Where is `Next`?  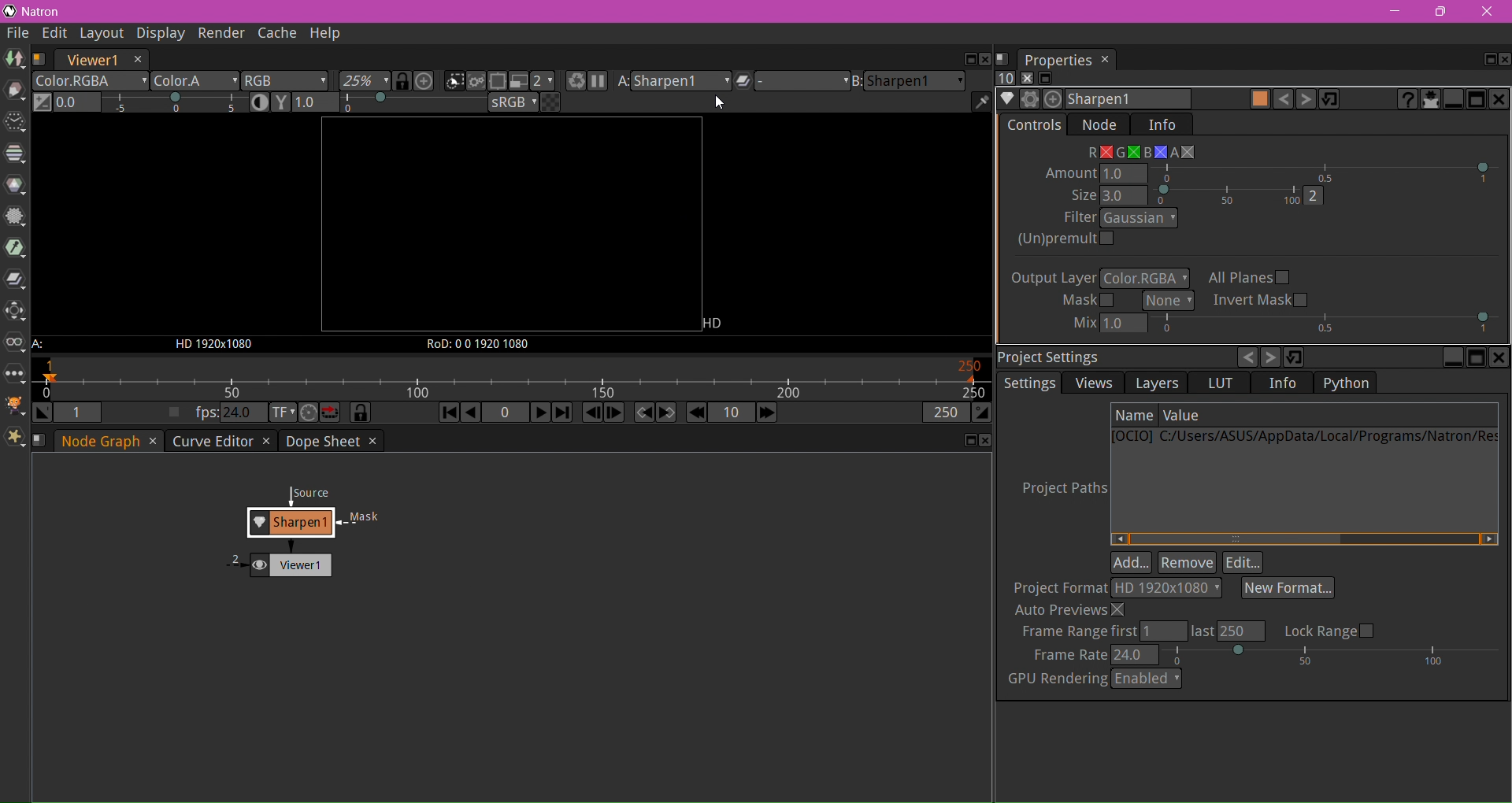
Next is located at coordinates (1272, 357).